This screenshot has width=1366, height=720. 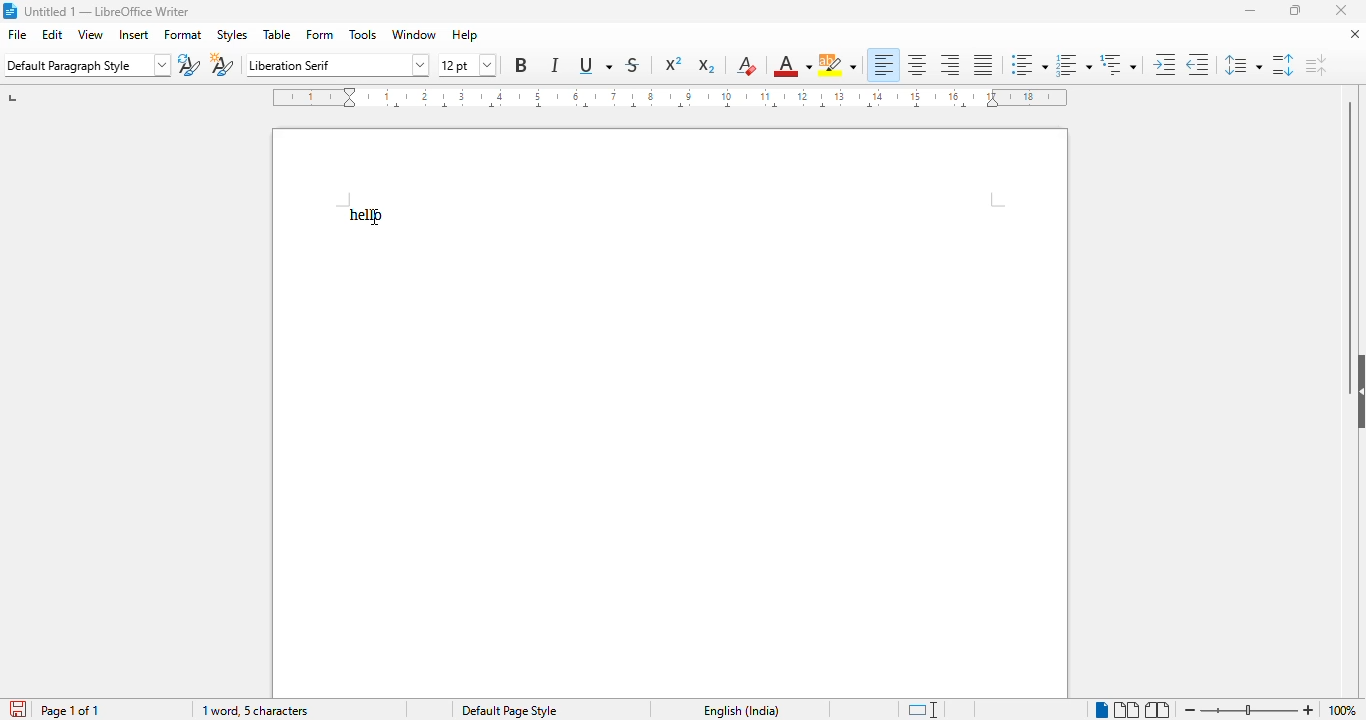 I want to click on Liberation Serif, so click(x=319, y=66).